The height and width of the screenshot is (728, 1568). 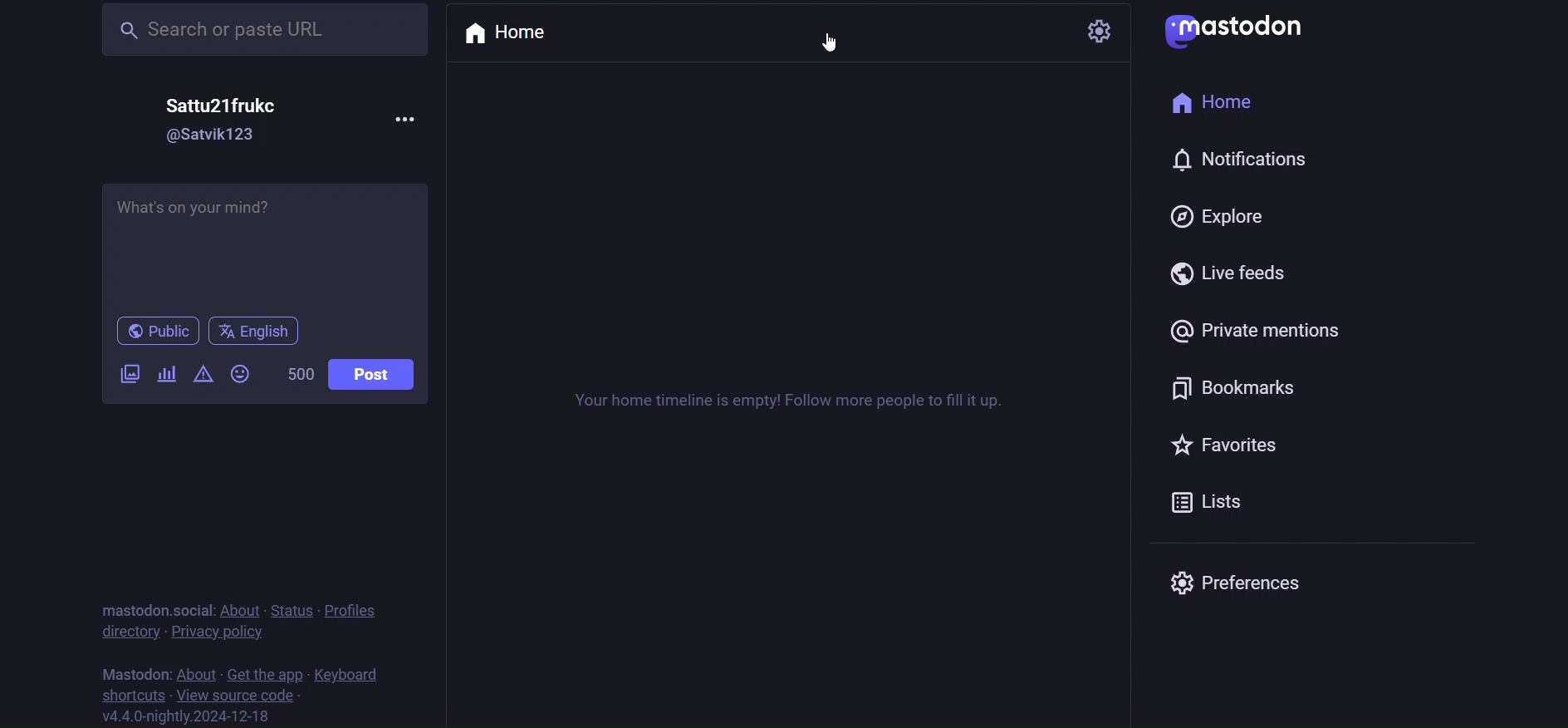 I want to click on mastodon, so click(x=135, y=671).